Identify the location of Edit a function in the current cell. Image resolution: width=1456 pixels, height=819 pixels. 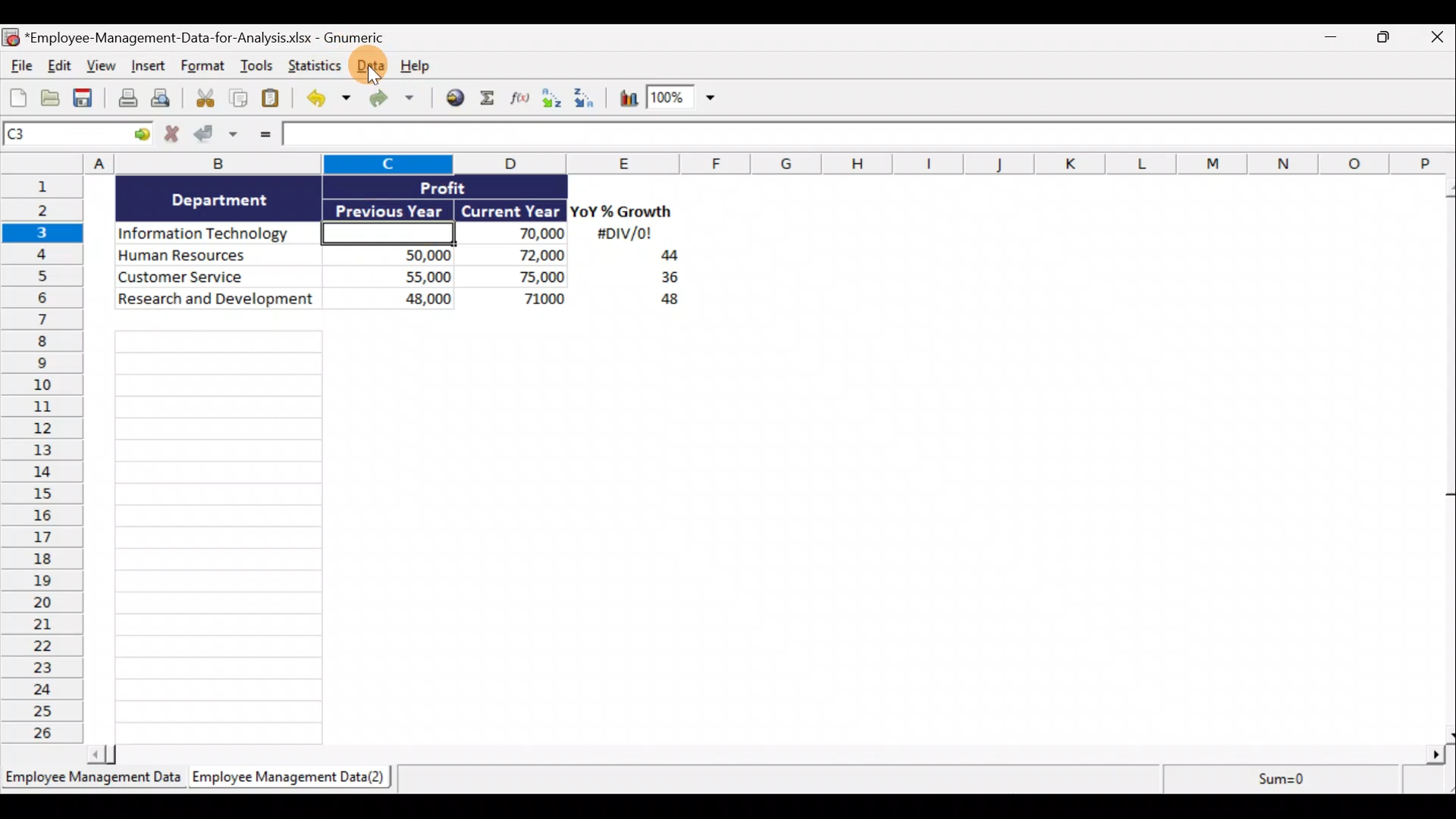
(521, 97).